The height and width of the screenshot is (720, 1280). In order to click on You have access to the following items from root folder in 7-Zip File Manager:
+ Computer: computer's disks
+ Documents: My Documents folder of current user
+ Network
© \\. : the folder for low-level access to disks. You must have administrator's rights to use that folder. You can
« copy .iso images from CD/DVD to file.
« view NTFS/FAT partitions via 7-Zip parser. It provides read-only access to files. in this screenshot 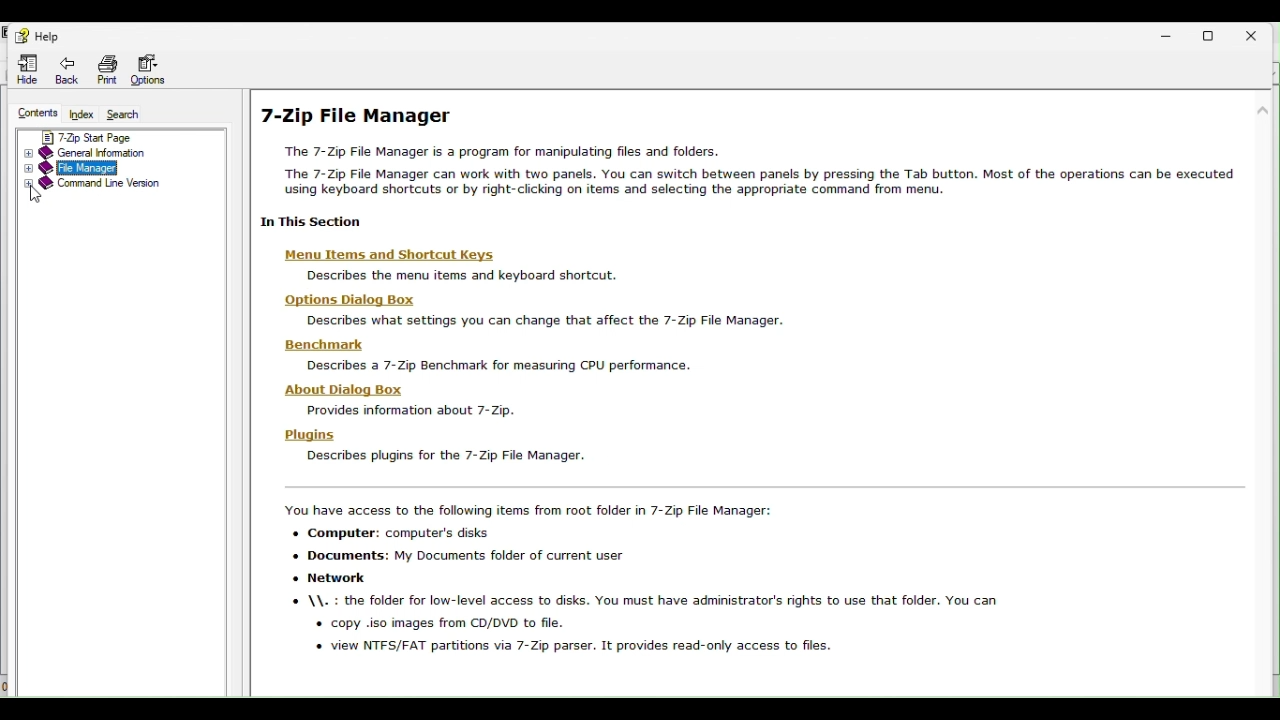, I will do `click(637, 580)`.